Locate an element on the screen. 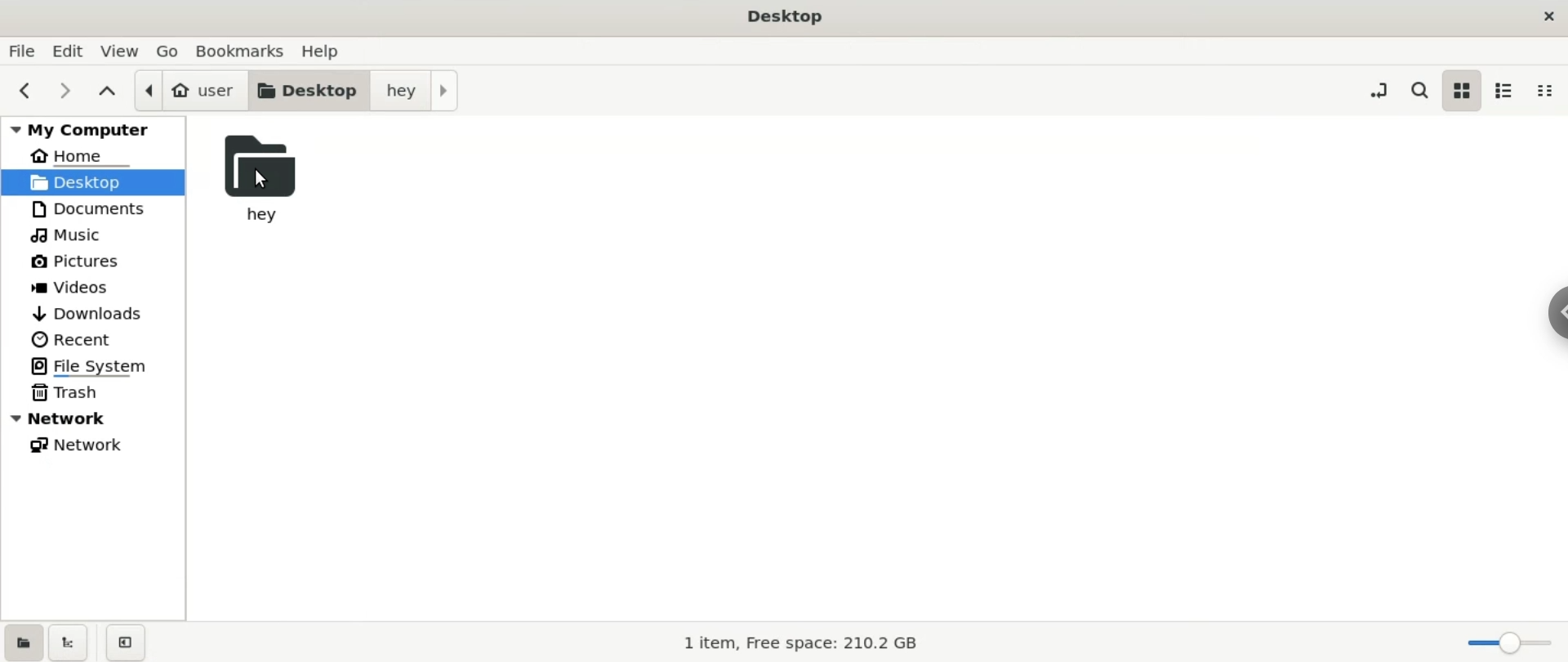 This screenshot has height=662, width=1568. search is located at coordinates (1422, 91).